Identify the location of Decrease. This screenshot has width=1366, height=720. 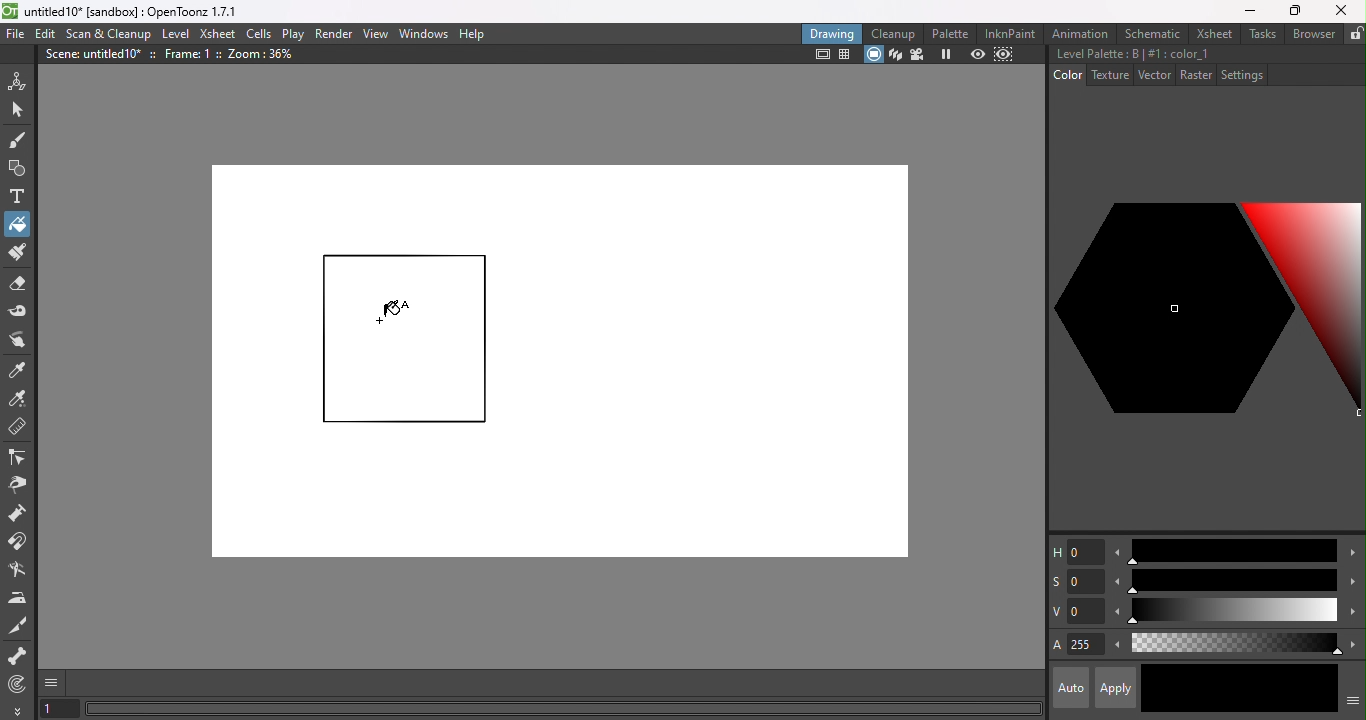
(1116, 613).